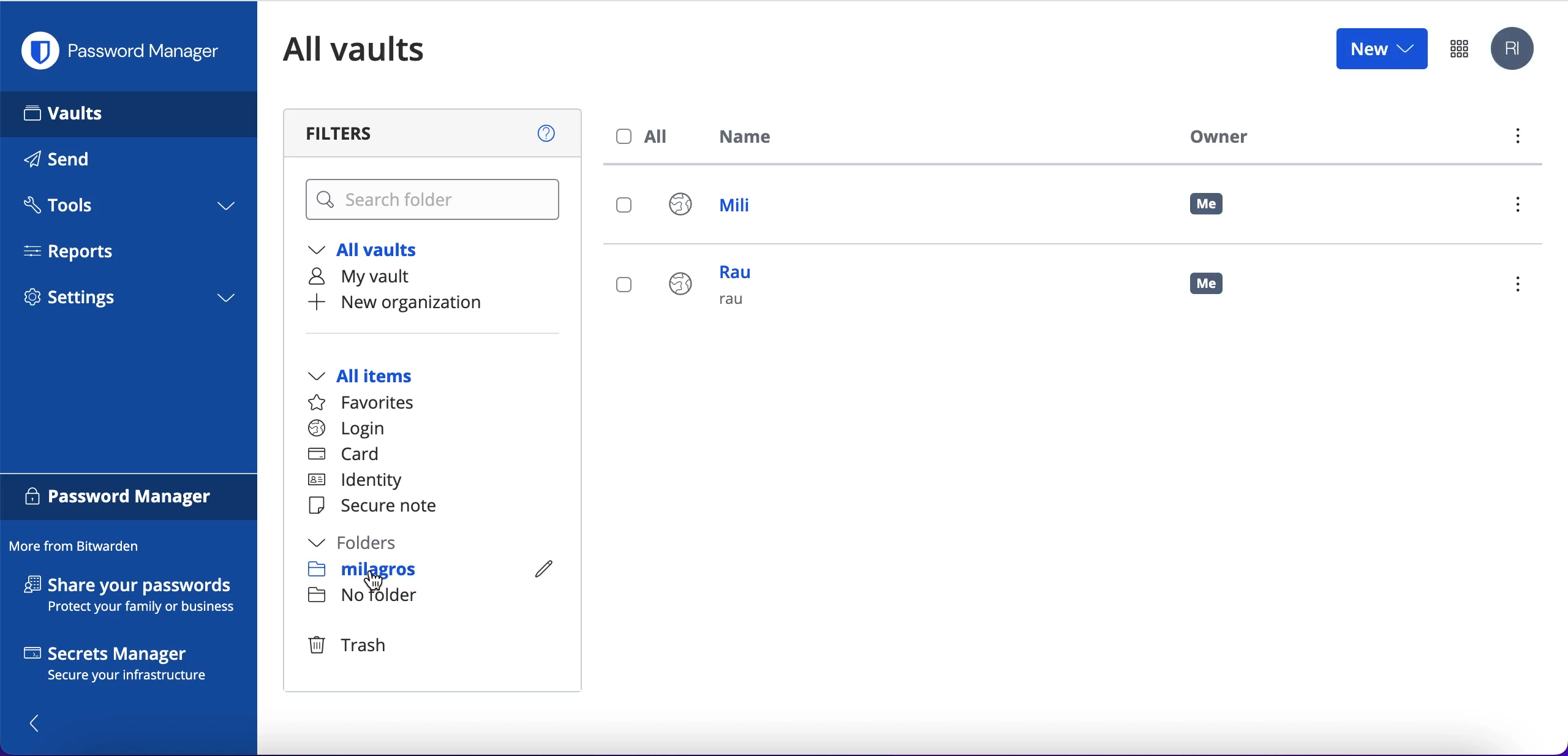 Image resolution: width=1568 pixels, height=756 pixels. I want to click on menu, so click(1516, 139).